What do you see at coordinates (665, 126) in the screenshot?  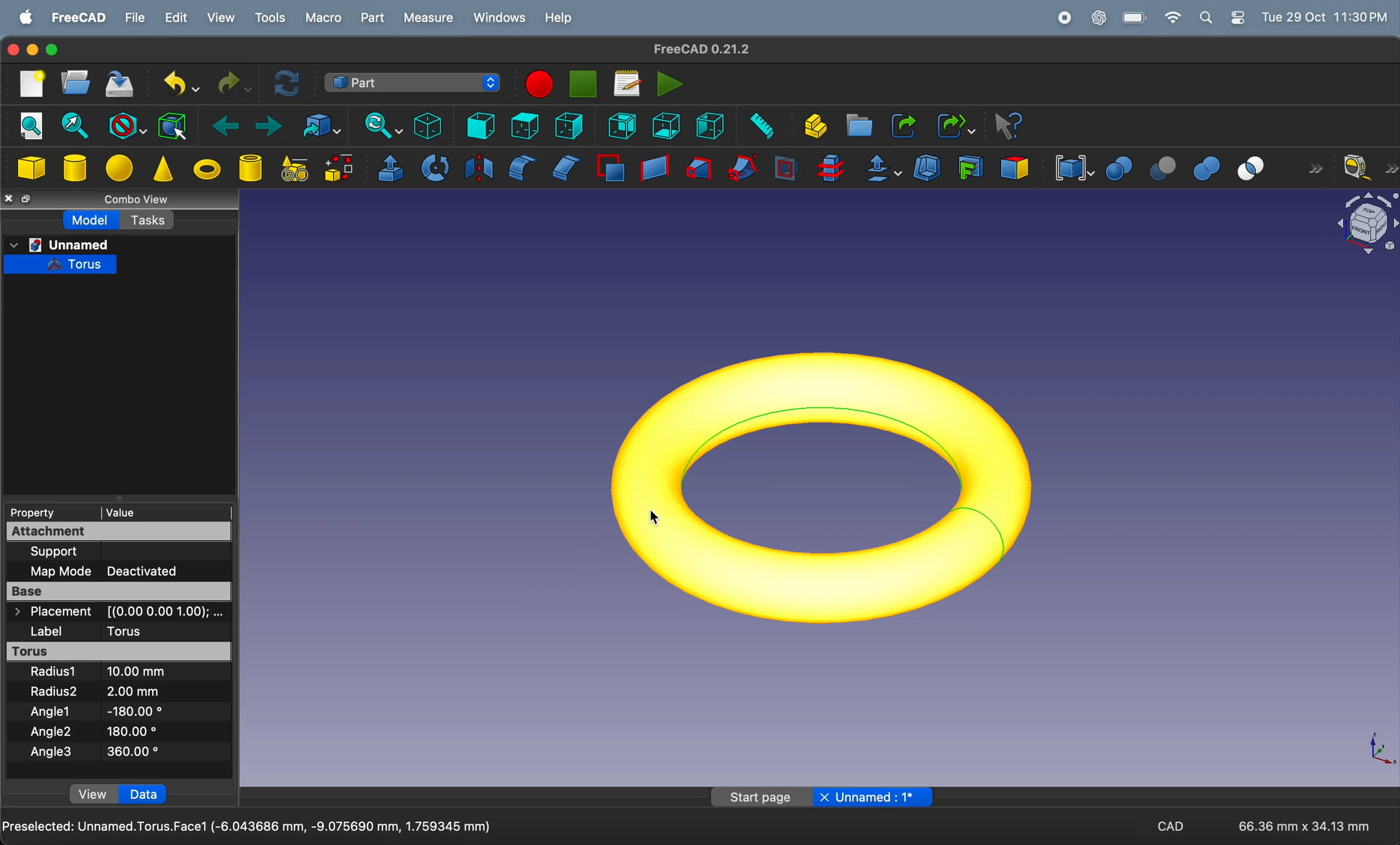 I see `bottom view` at bounding box center [665, 126].